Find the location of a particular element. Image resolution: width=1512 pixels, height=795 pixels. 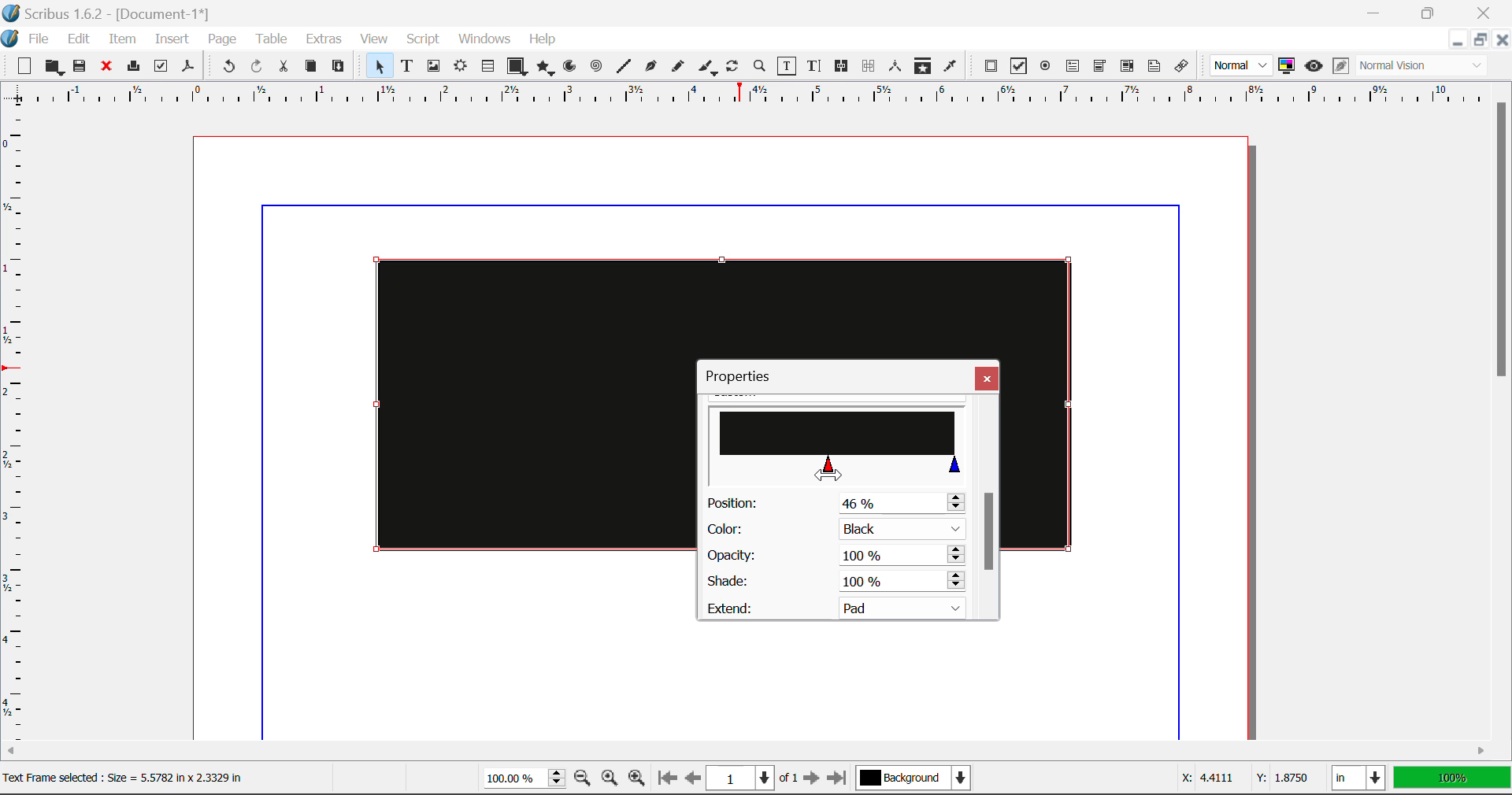

Polygons is located at coordinates (545, 69).